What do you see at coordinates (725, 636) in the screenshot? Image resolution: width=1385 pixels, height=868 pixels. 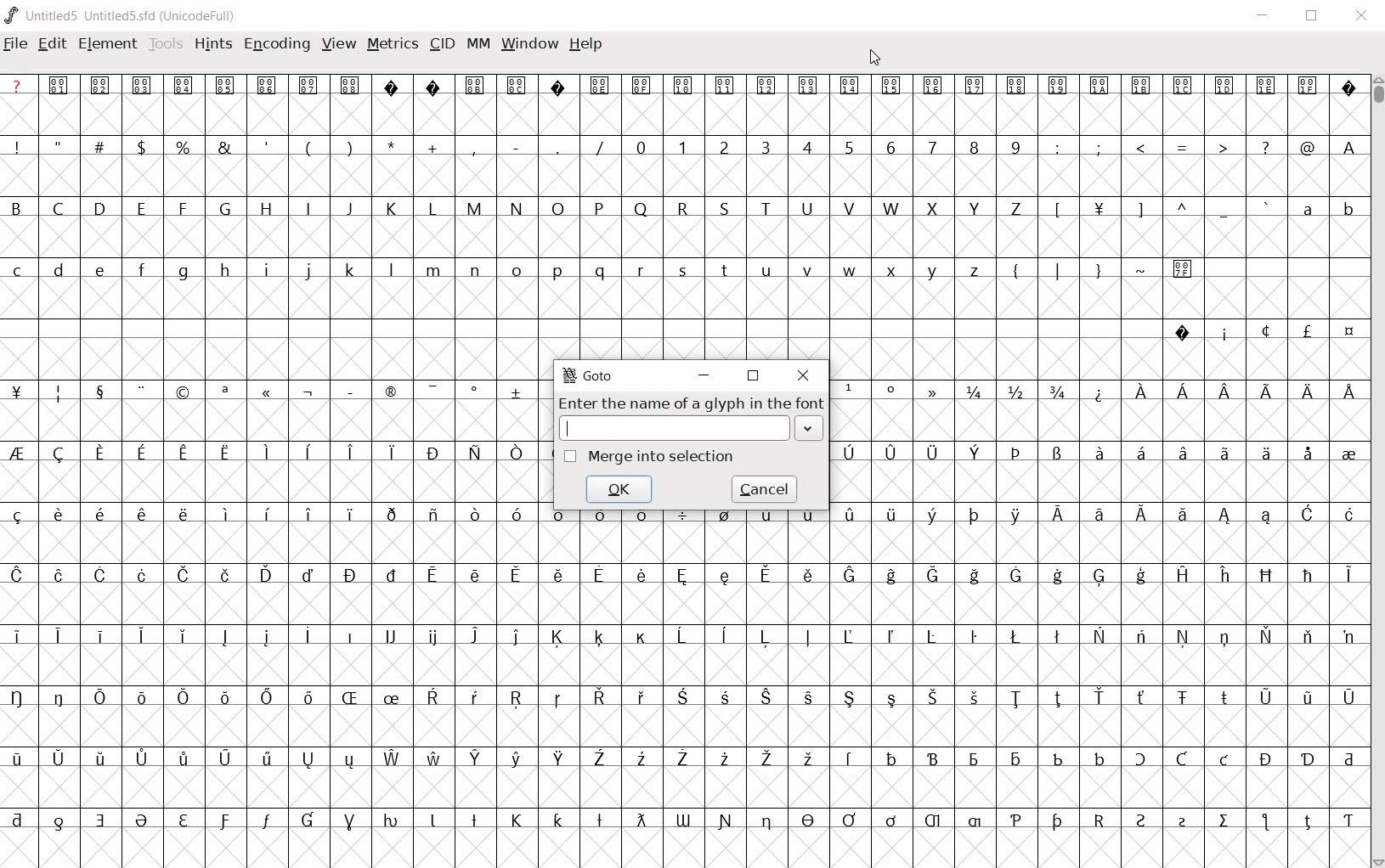 I see `Symbol` at bounding box center [725, 636].